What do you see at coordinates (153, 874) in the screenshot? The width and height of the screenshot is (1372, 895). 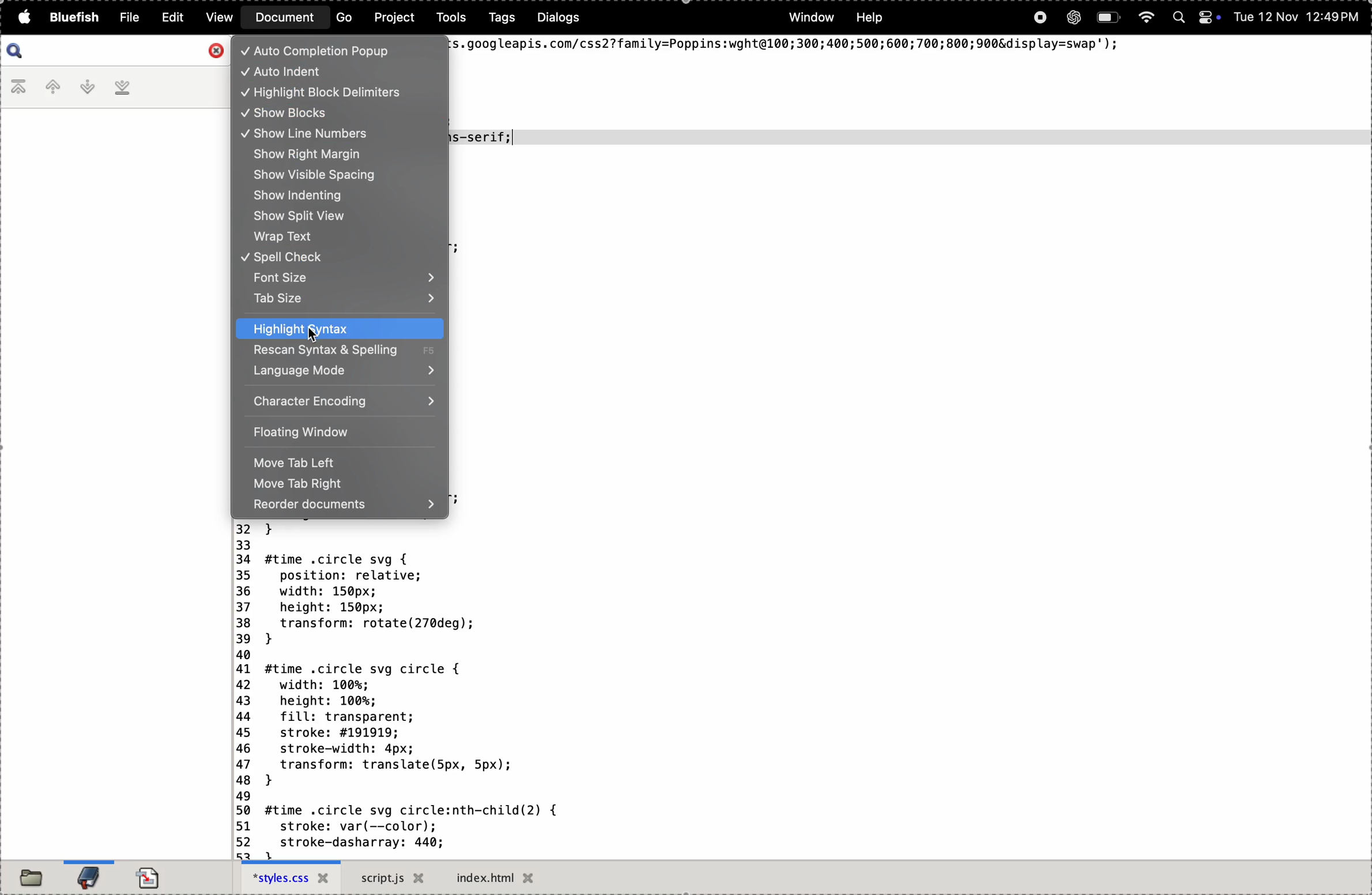 I see `open doc` at bounding box center [153, 874].